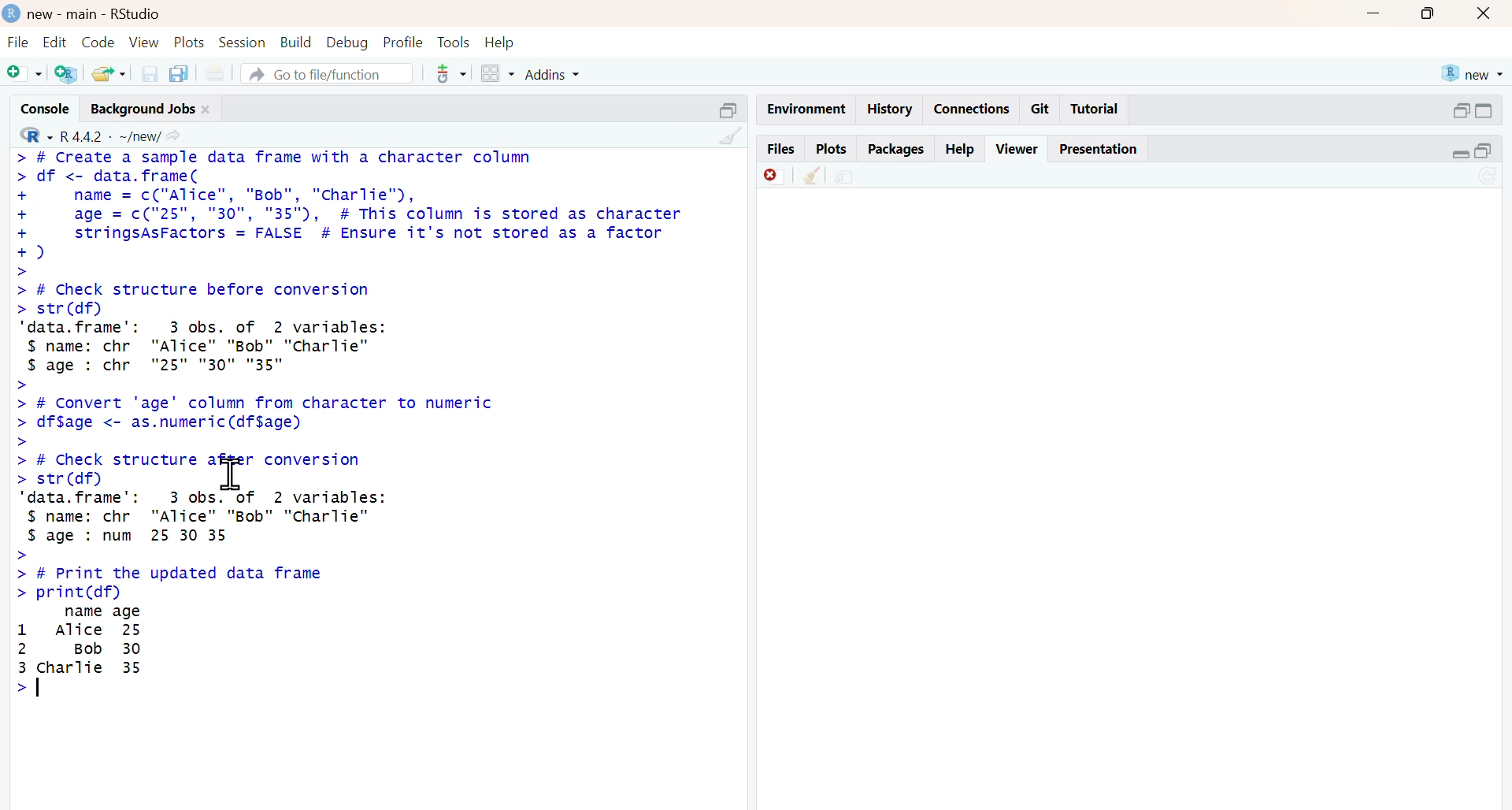  Describe the element at coordinates (189, 43) in the screenshot. I see `plots` at that location.